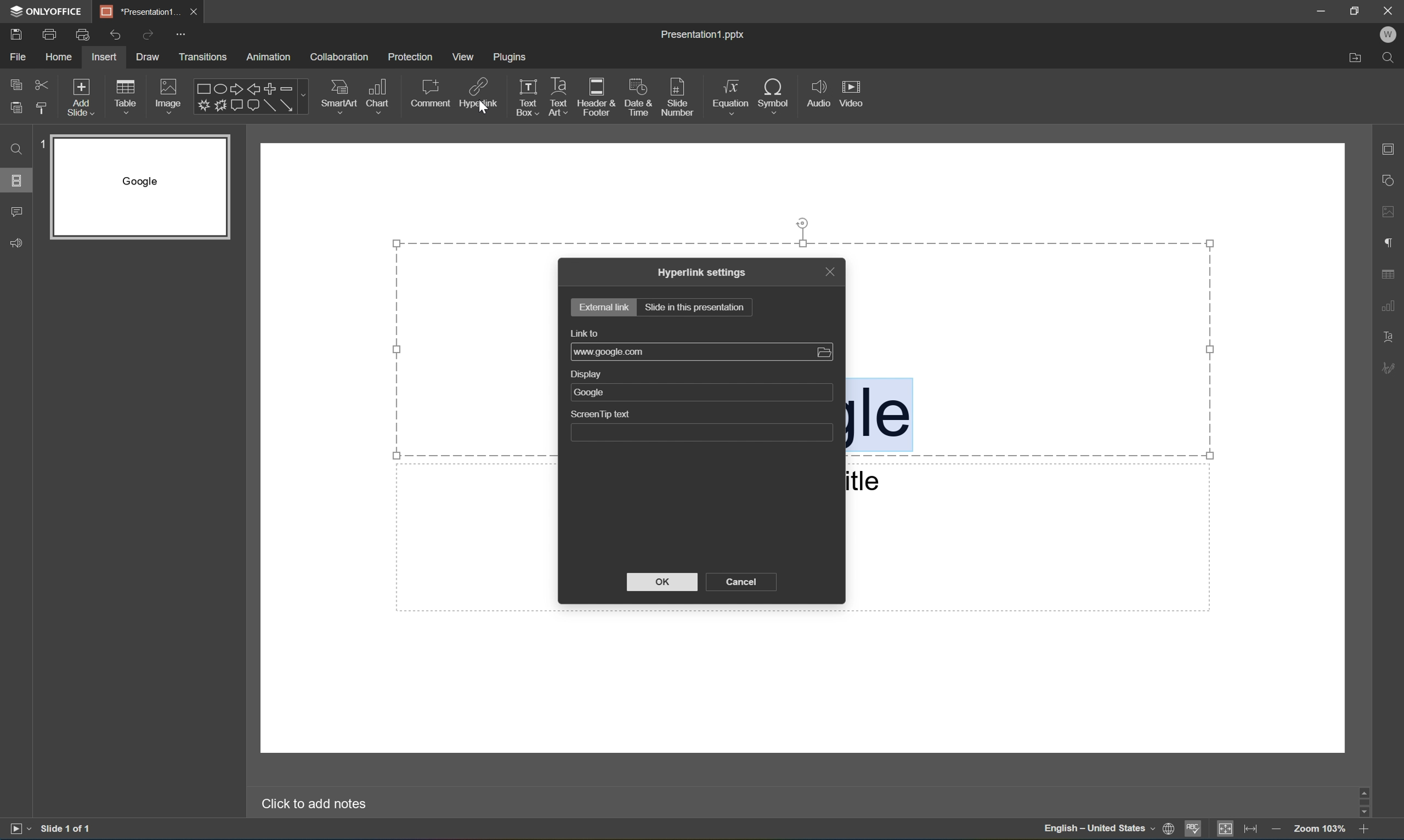 The width and height of the screenshot is (1404, 840). I want to click on Table settings, so click(1389, 274).